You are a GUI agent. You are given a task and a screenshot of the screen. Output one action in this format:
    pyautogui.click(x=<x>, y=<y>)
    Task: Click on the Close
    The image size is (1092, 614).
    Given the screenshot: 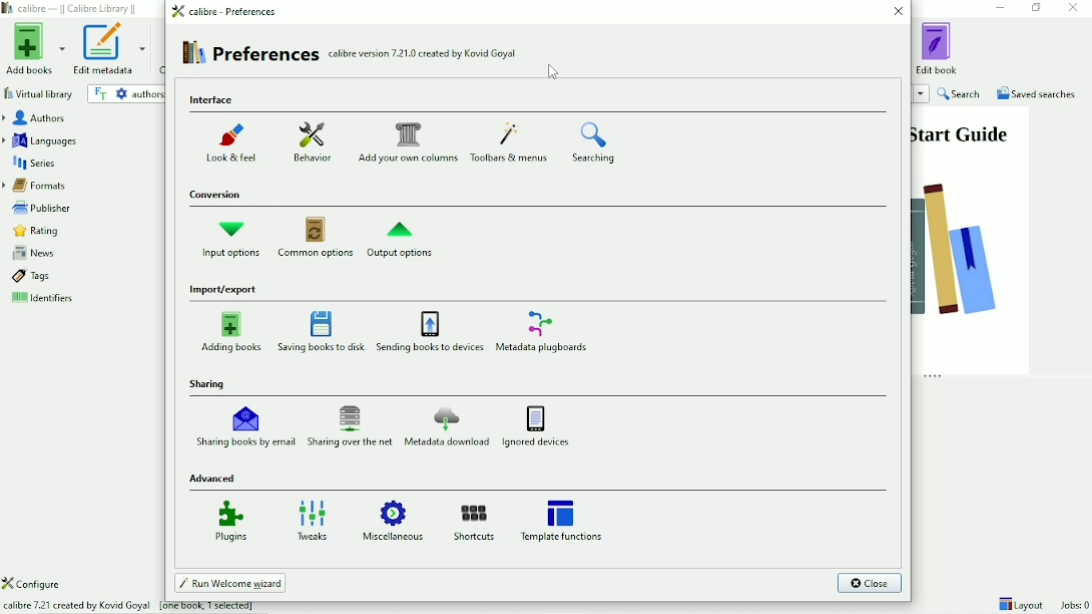 What is the action you would take?
    pyautogui.click(x=896, y=12)
    